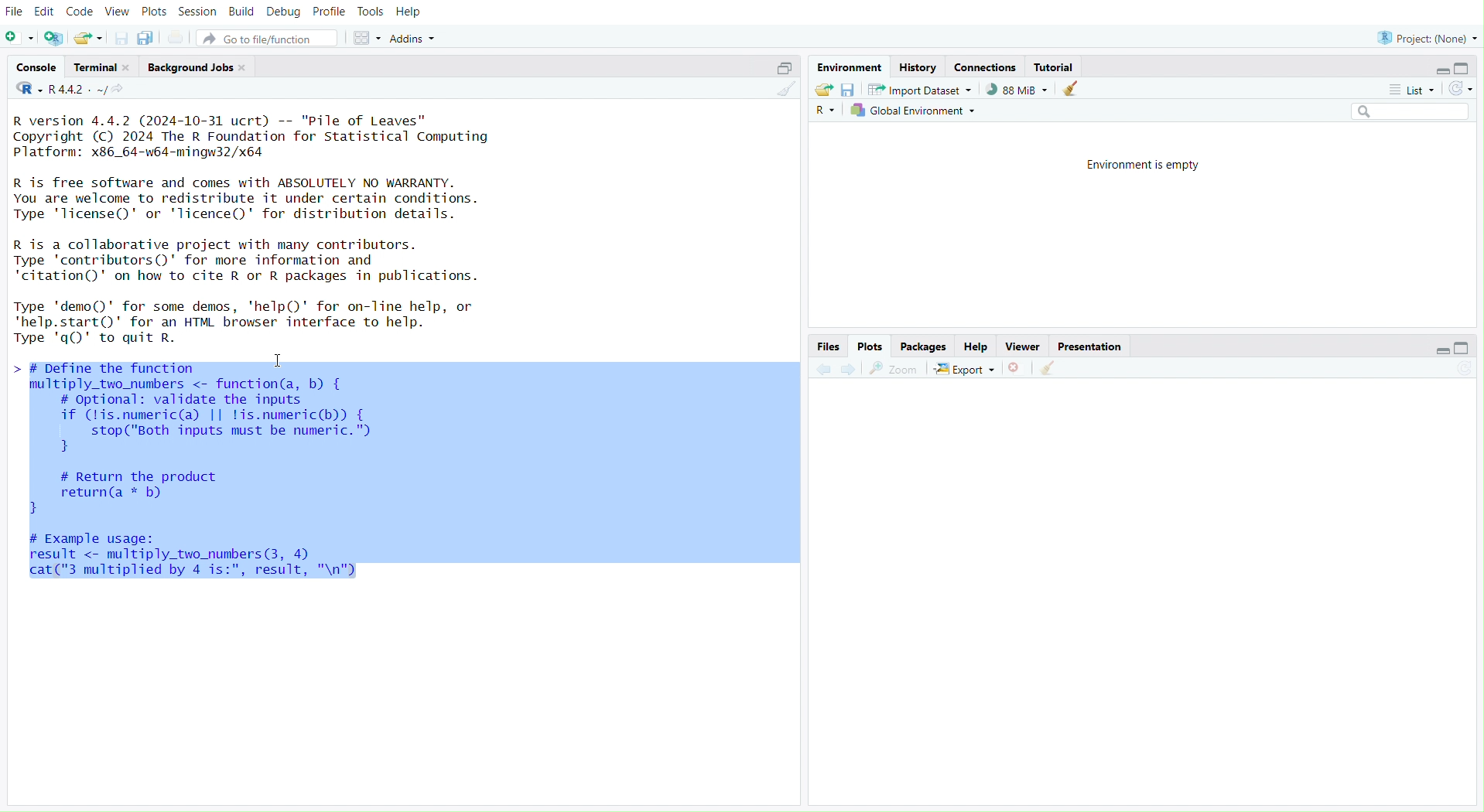 Image resolution: width=1484 pixels, height=812 pixels. I want to click on Create a project, so click(55, 35).